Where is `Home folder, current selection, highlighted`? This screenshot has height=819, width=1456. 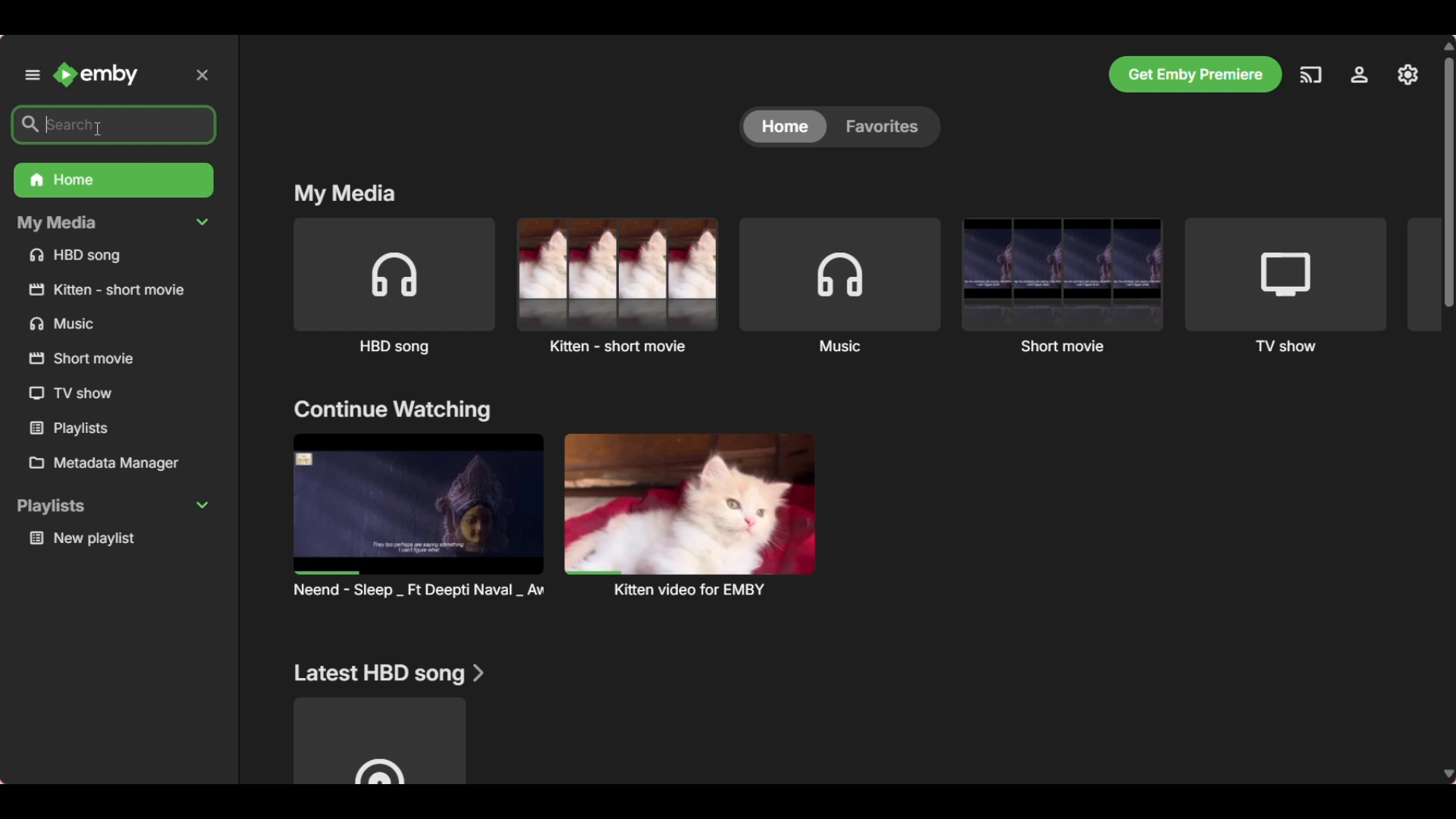 Home folder, current selection, highlighted is located at coordinates (112, 180).